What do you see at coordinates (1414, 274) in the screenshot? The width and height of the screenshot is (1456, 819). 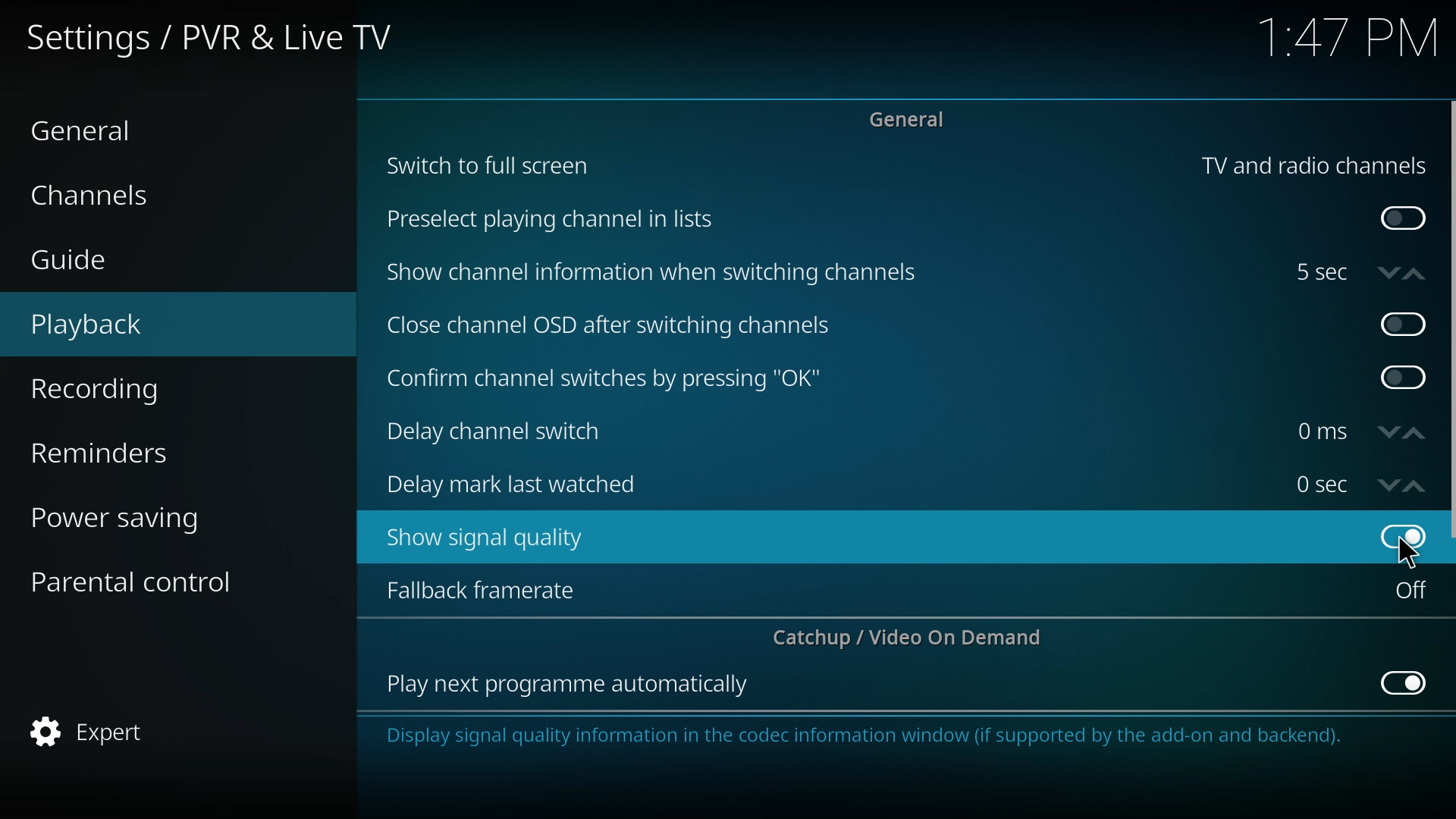 I see `increase time` at bounding box center [1414, 274].